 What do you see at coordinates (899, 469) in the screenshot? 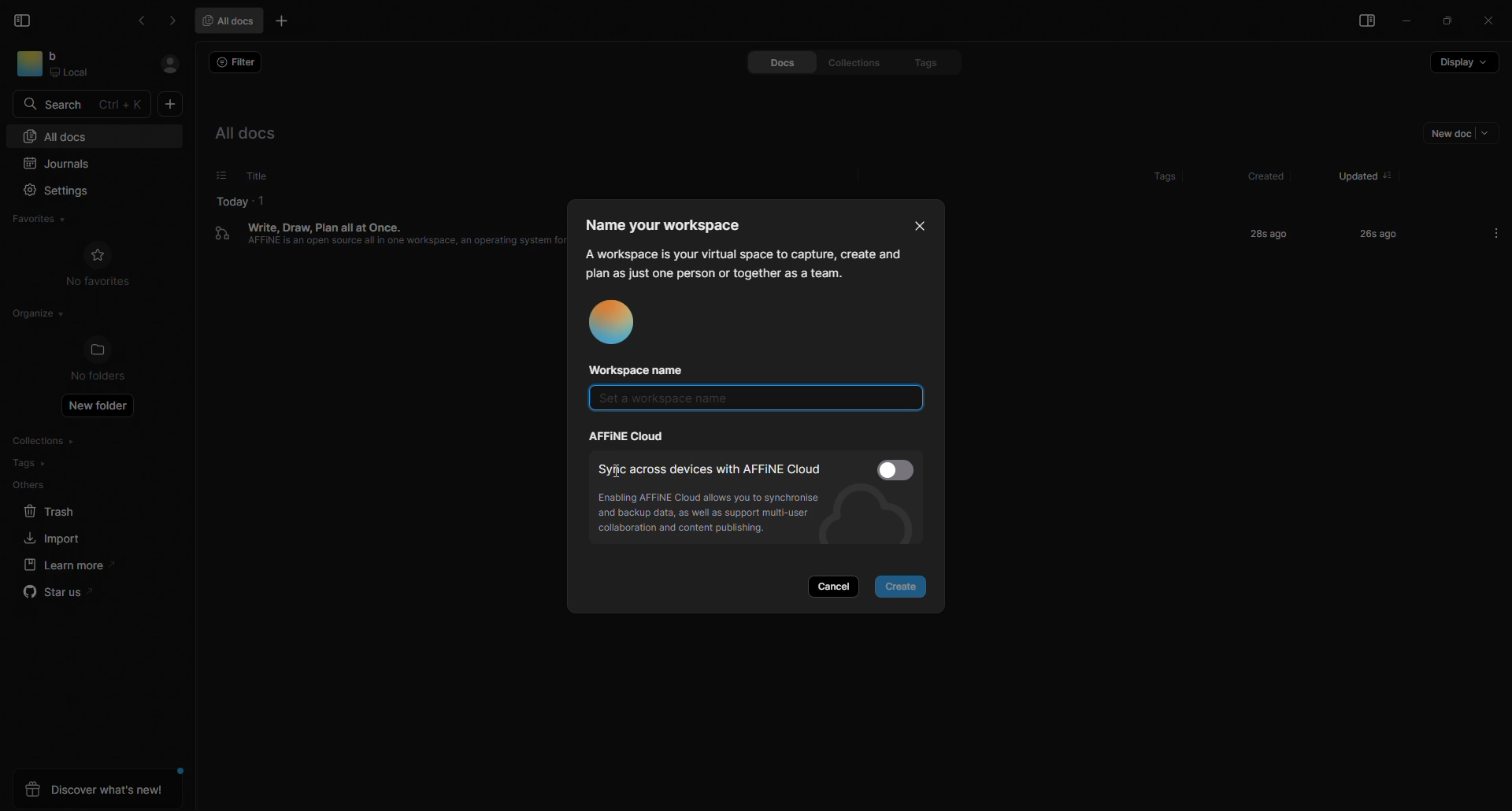
I see `select` at bounding box center [899, 469].